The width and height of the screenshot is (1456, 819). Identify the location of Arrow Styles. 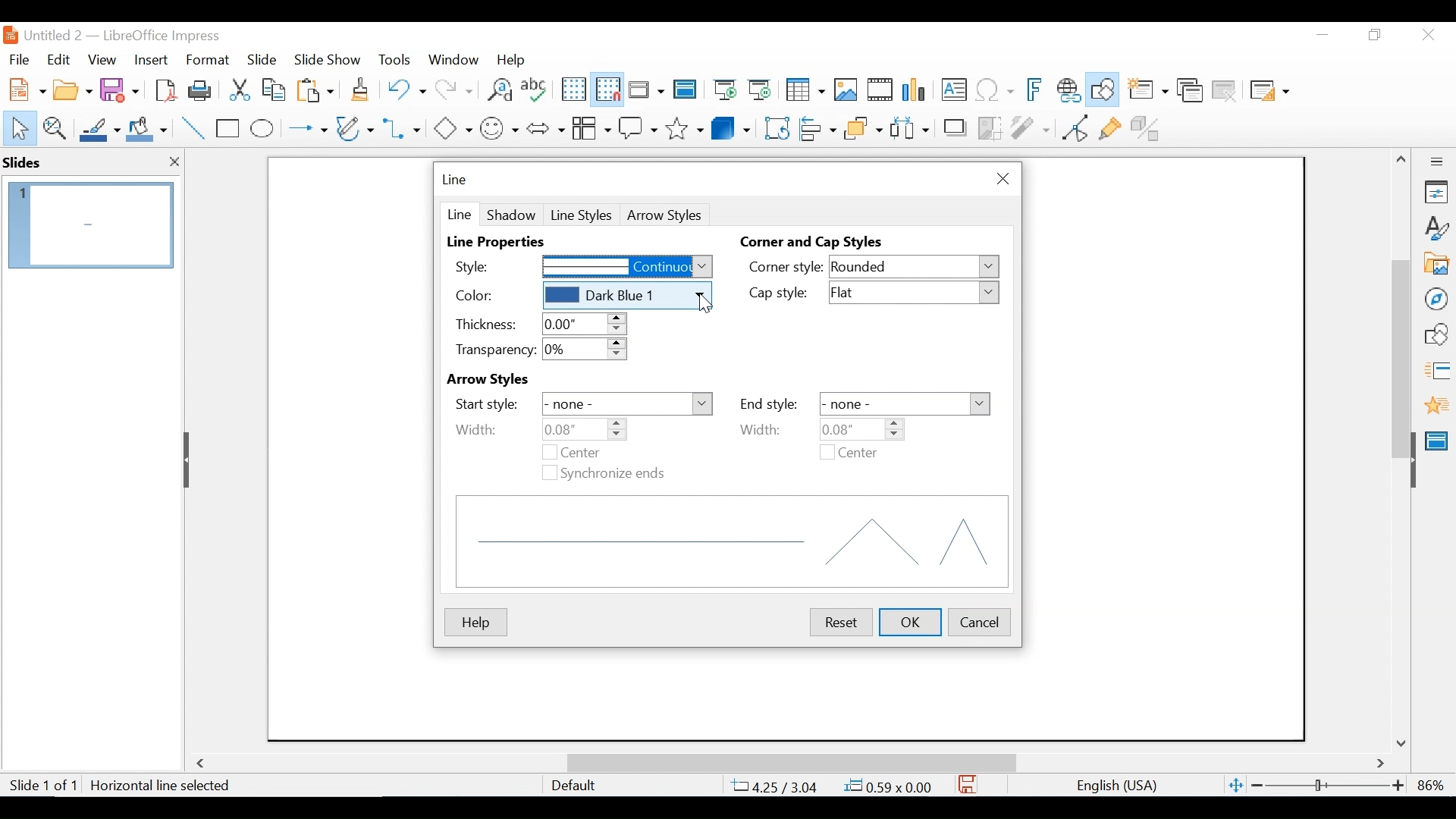
(513, 380).